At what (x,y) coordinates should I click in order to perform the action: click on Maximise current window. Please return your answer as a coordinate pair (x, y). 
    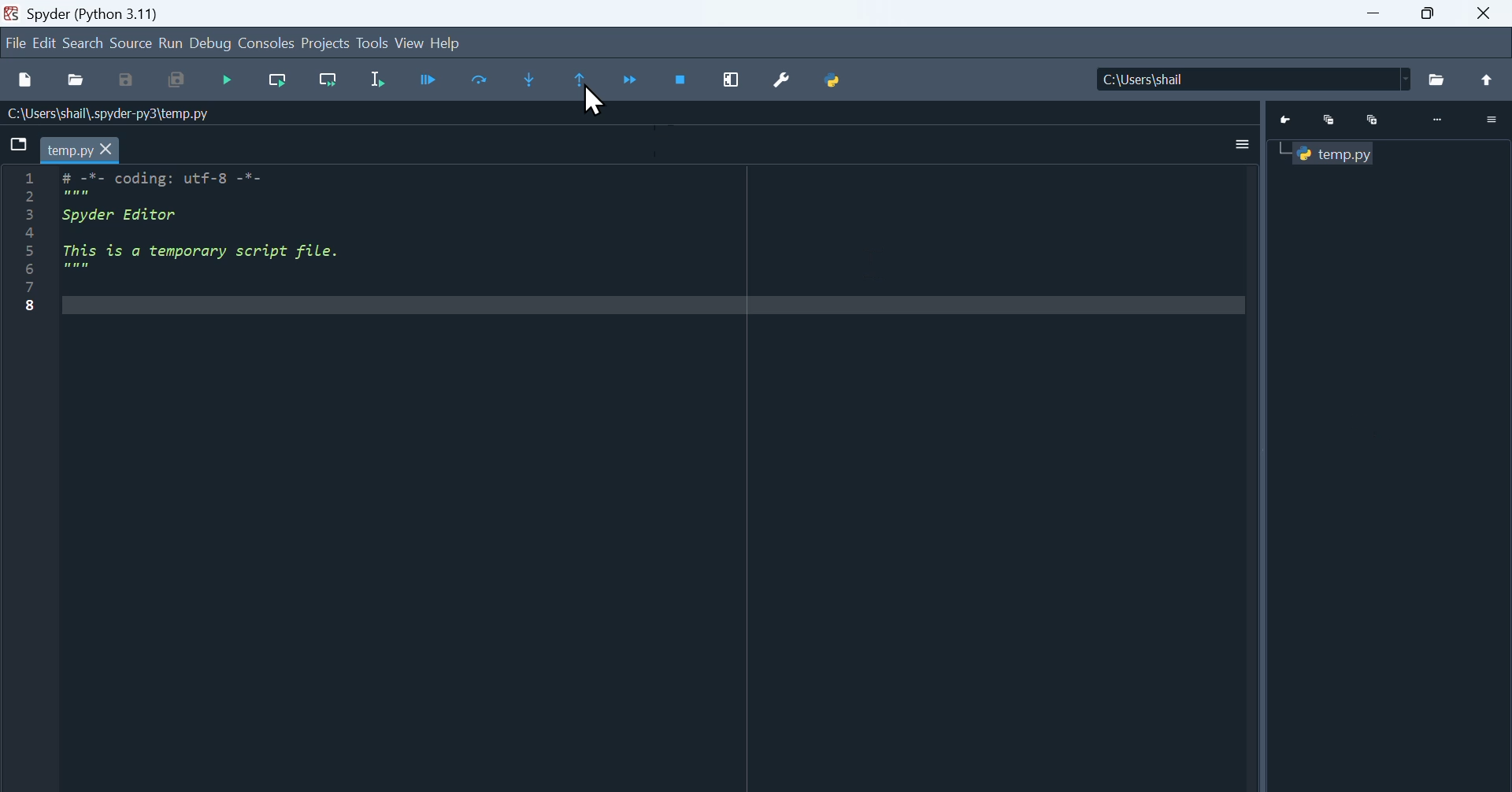
    Looking at the image, I should click on (731, 80).